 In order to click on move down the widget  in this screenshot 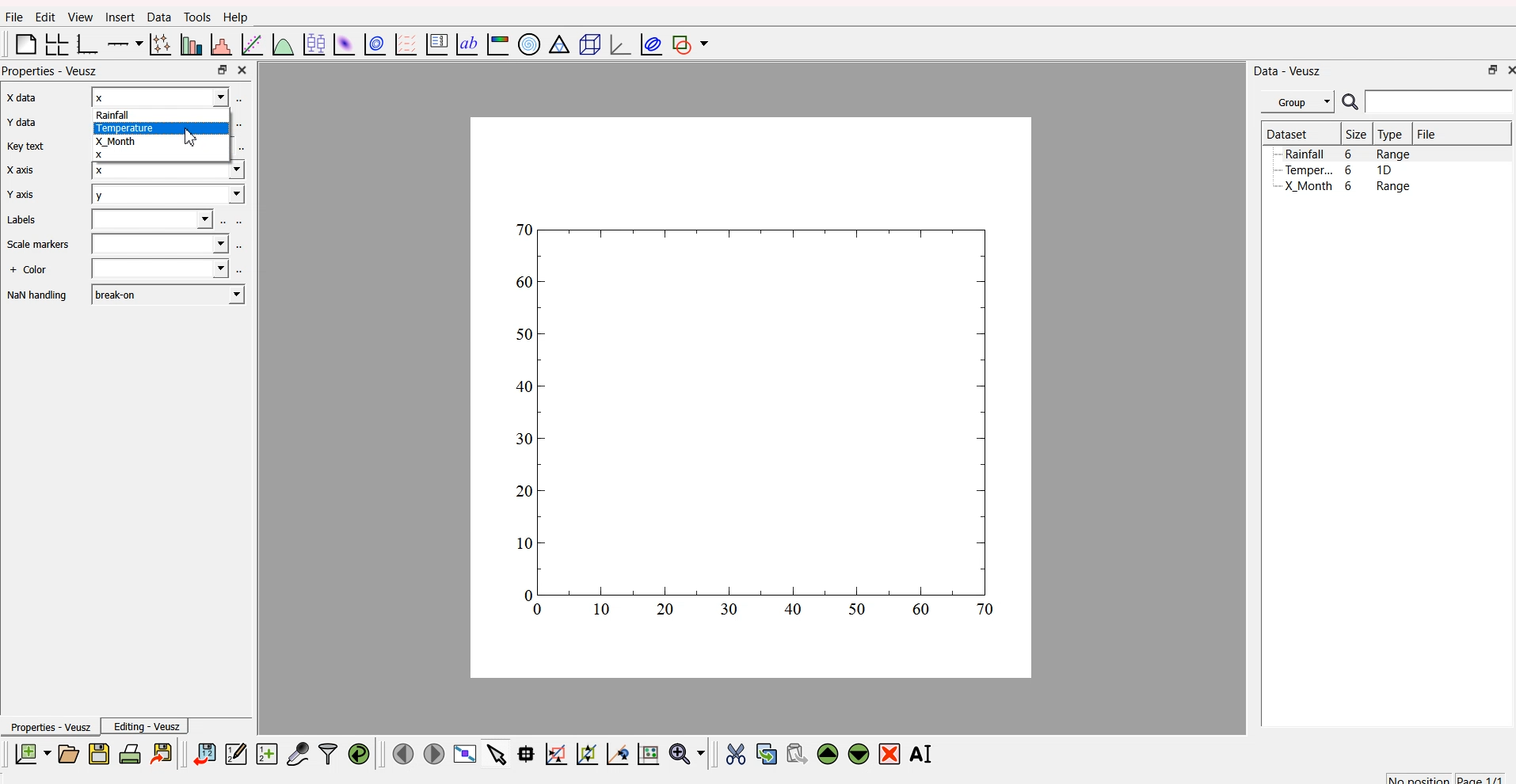, I will do `click(856, 755)`.